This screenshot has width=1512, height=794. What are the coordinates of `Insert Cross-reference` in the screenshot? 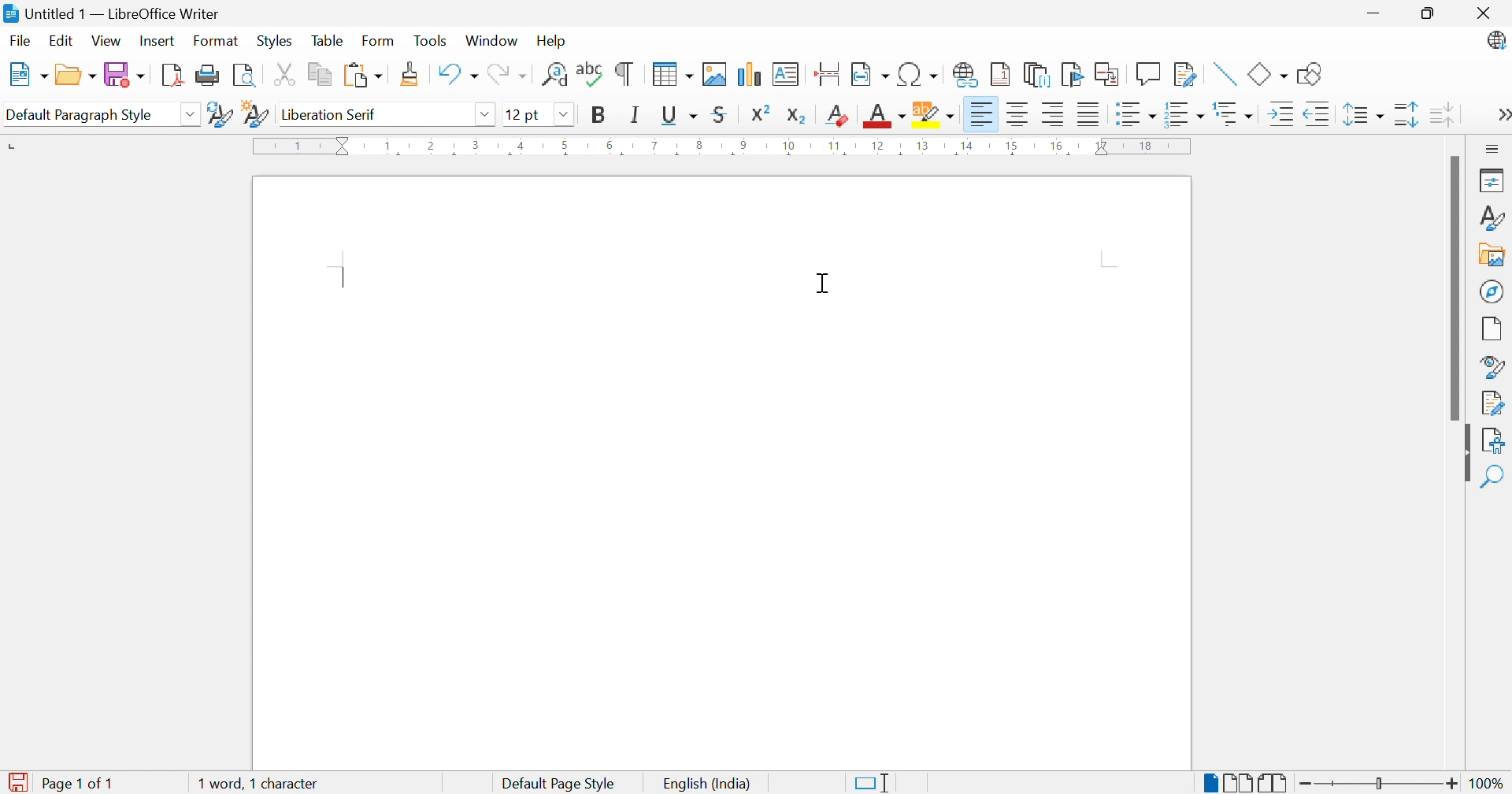 It's located at (1108, 74).